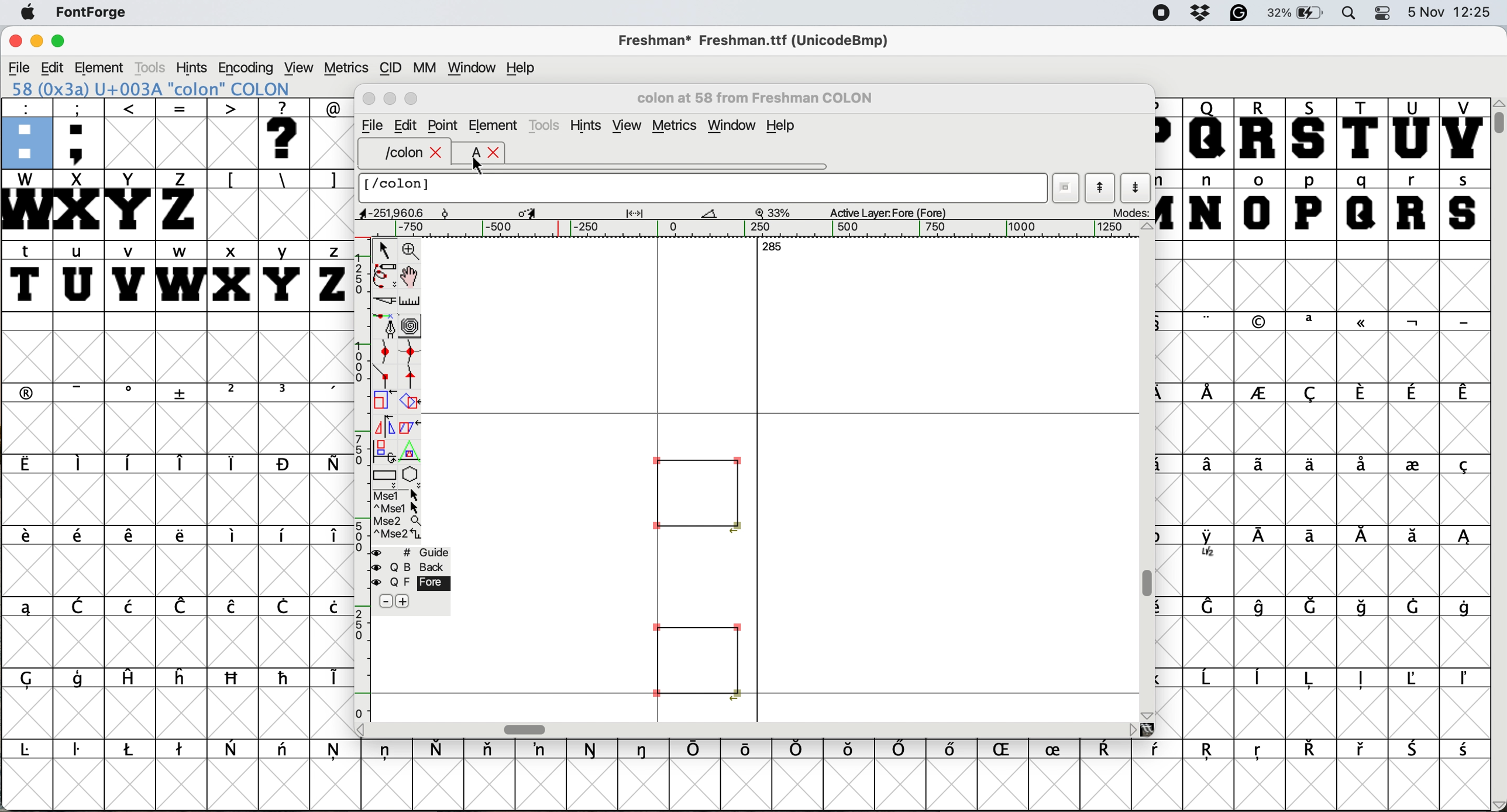 This screenshot has height=812, width=1507. I want to click on y, so click(285, 274).